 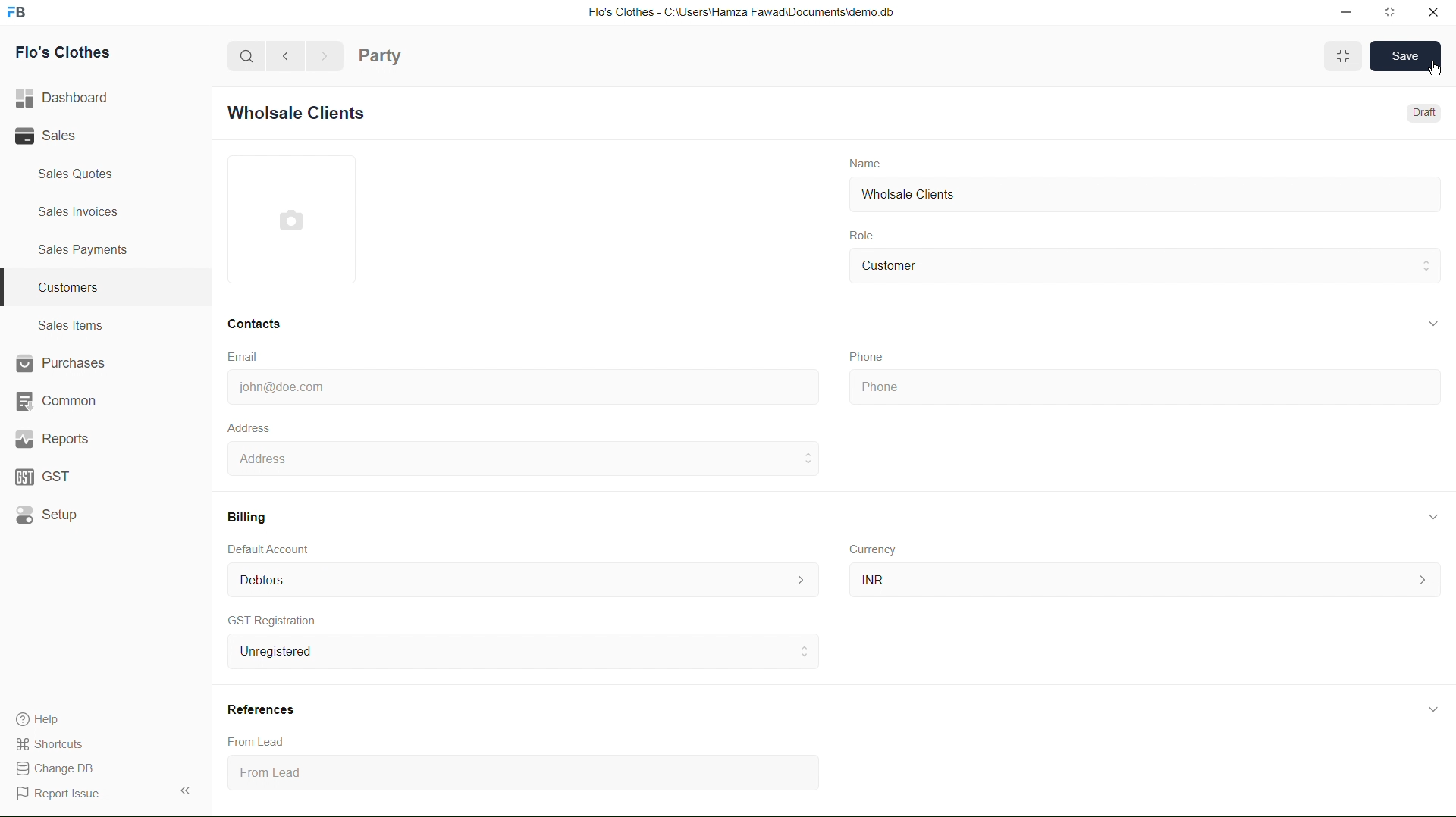 I want to click on Role, so click(x=869, y=232).